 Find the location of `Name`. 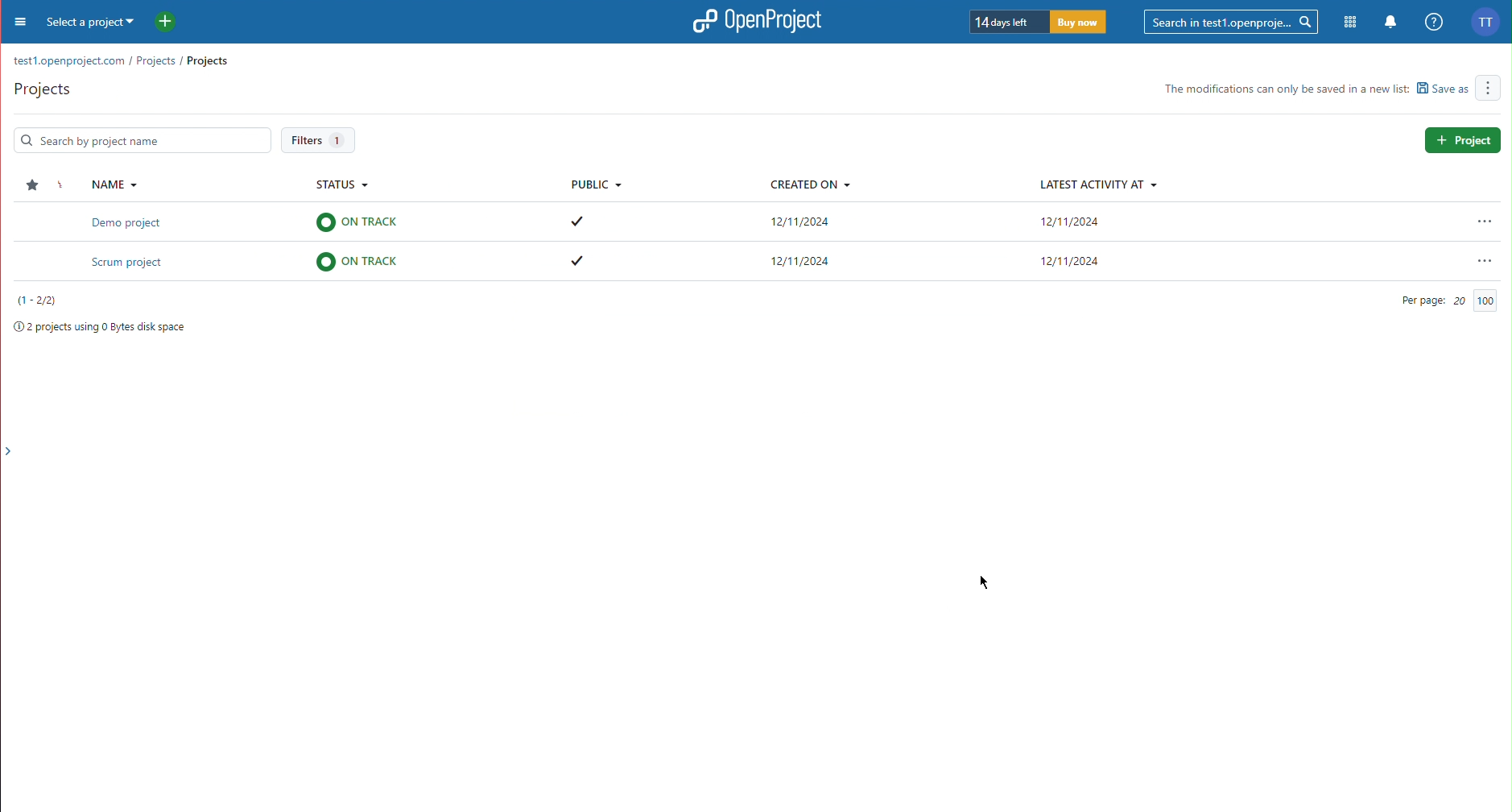

Name is located at coordinates (113, 181).